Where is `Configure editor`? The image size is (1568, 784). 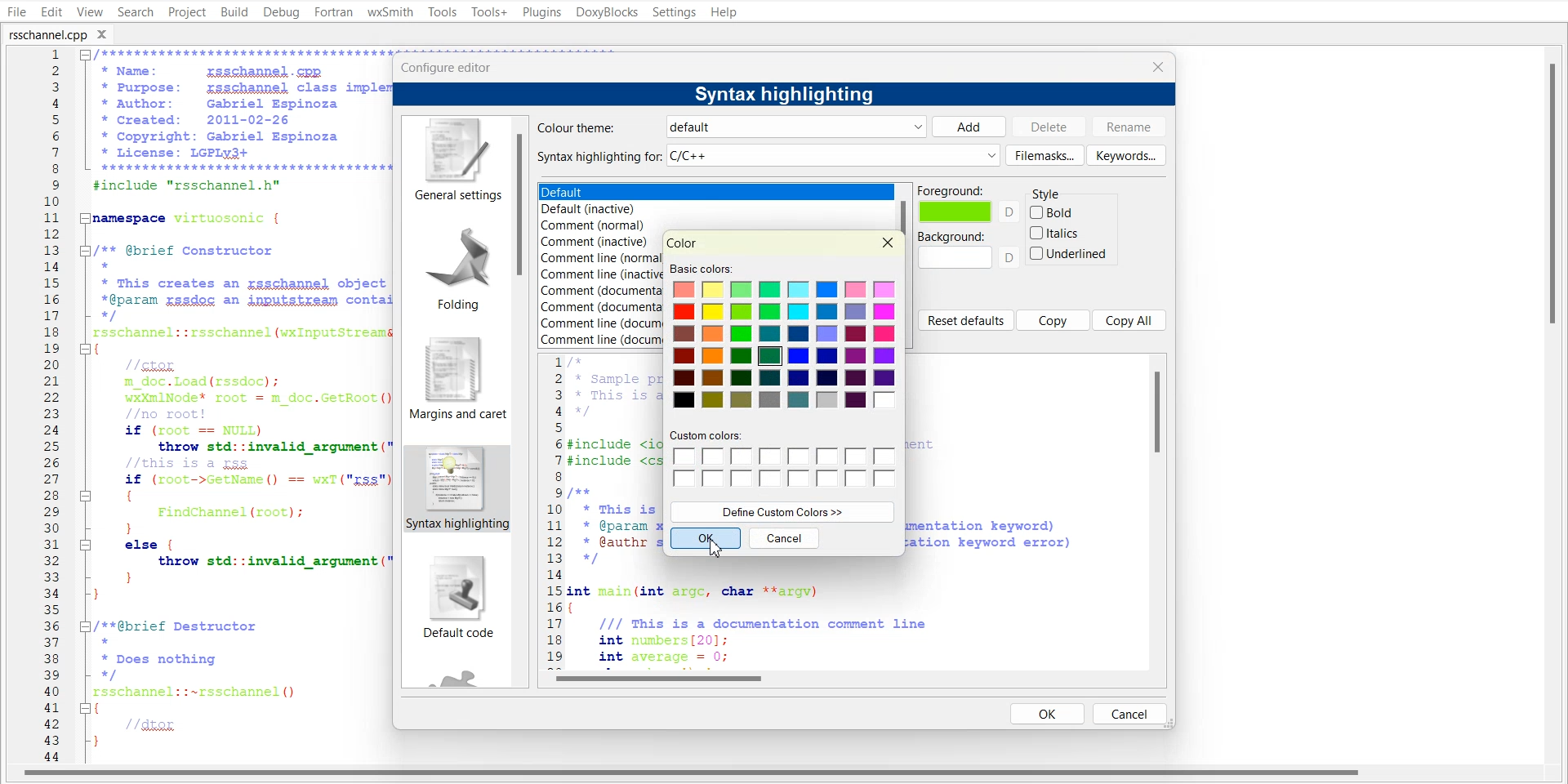
Configure editor is located at coordinates (453, 66).